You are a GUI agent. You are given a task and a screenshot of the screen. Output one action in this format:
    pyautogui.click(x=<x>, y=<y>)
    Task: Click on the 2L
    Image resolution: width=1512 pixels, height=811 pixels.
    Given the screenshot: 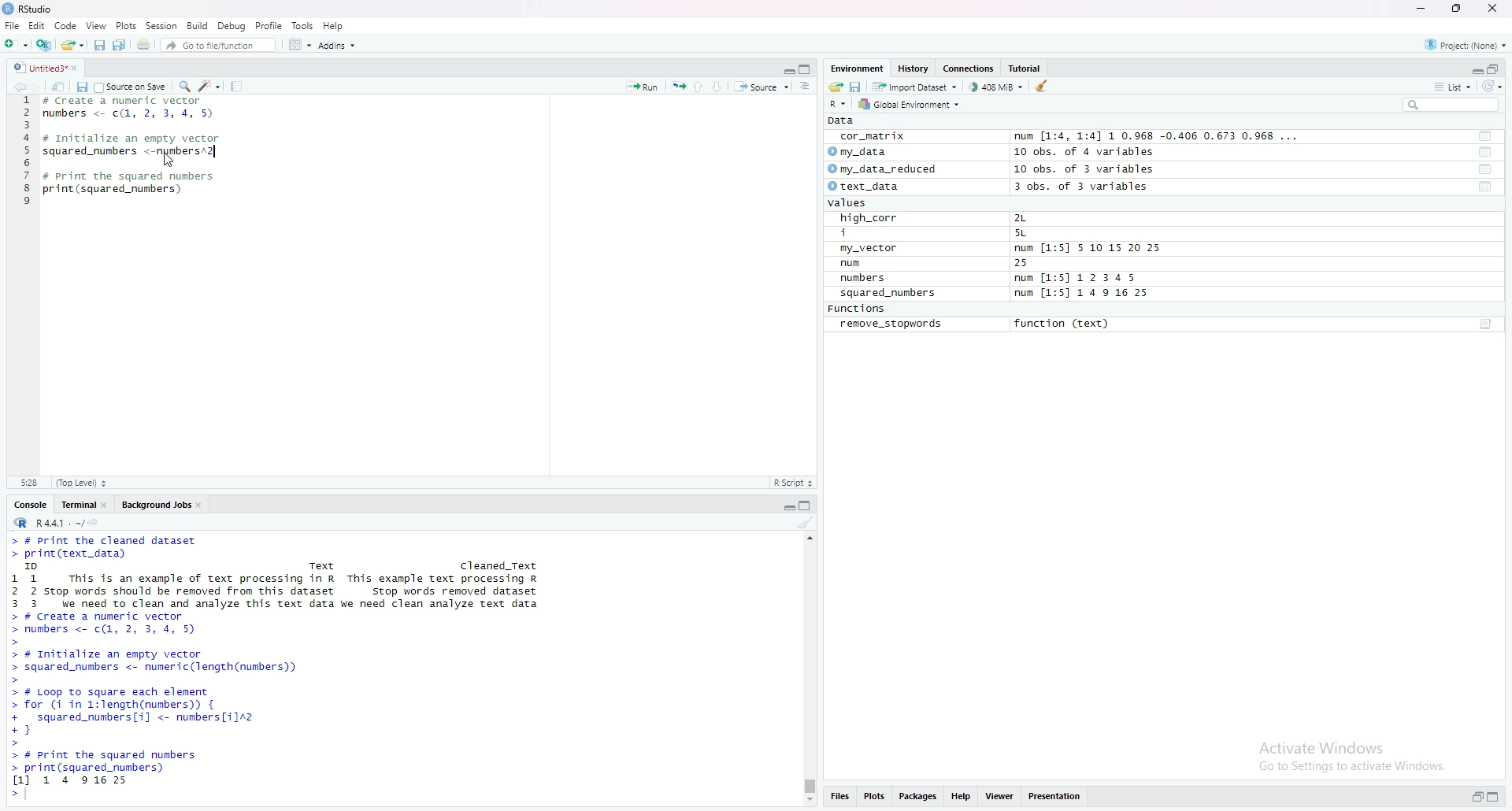 What is the action you would take?
    pyautogui.click(x=1029, y=218)
    